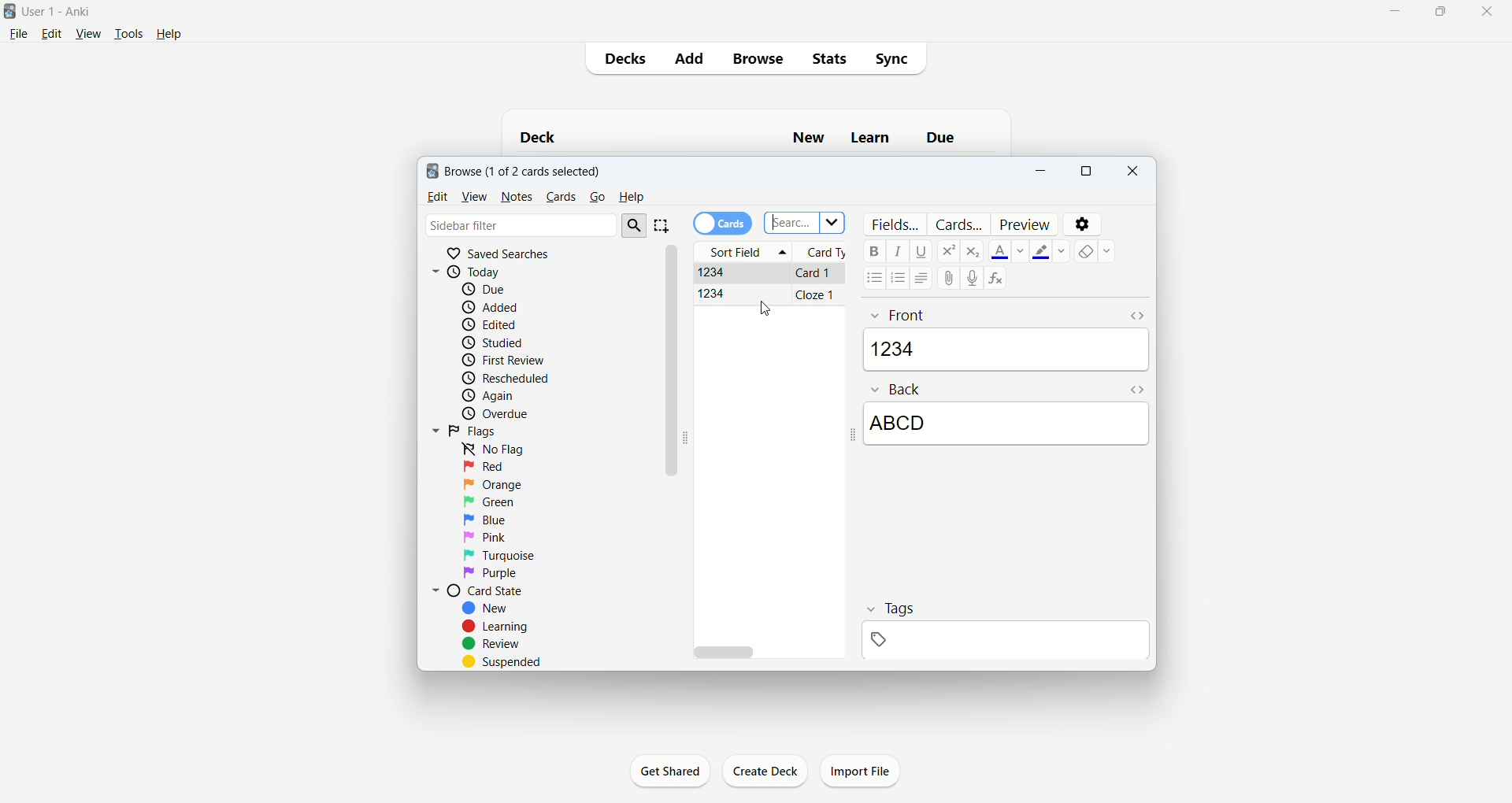 The image size is (1512, 803). I want to click on text highlight color, so click(1050, 251).